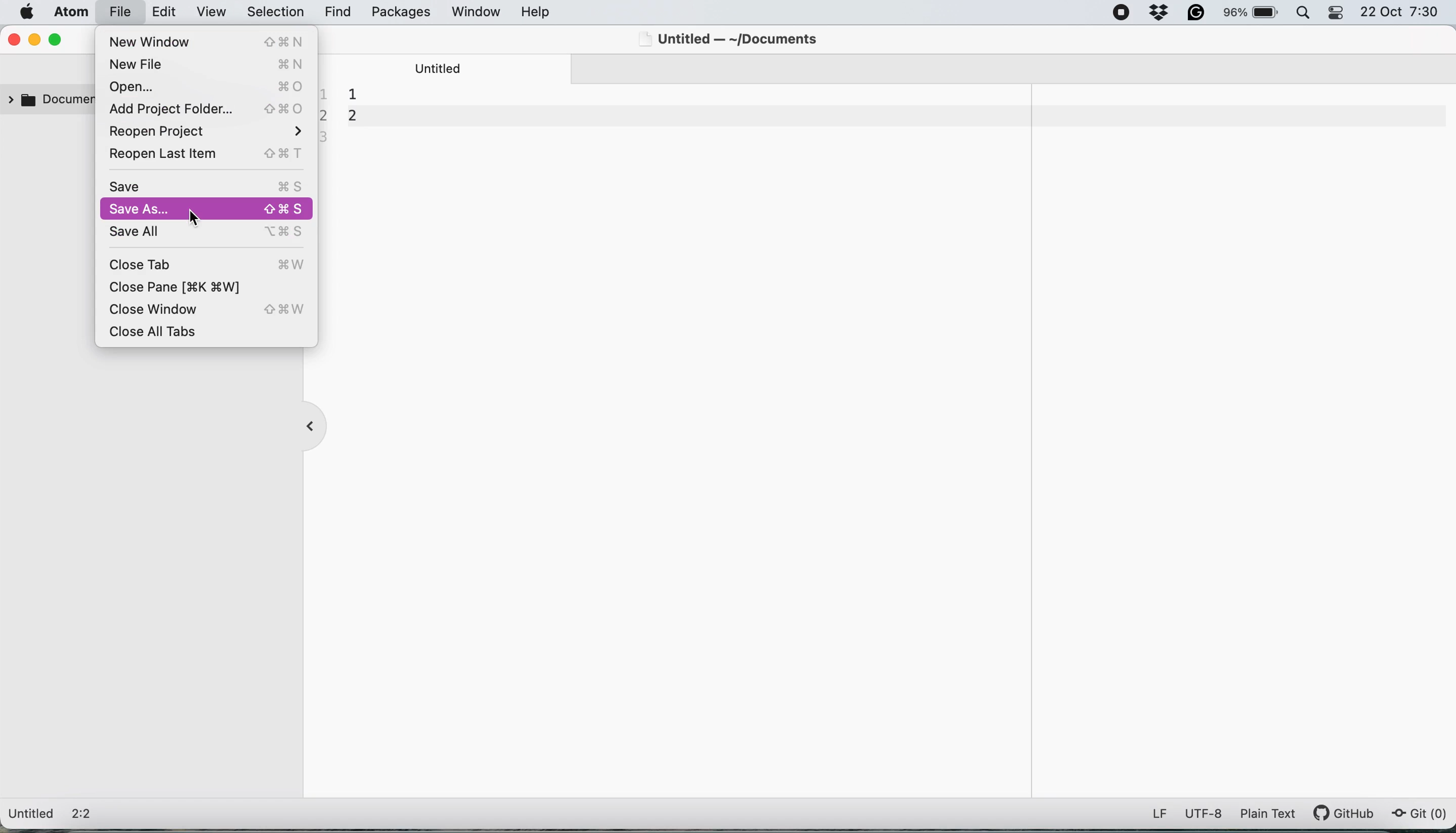 This screenshot has width=1456, height=833. I want to click on screen recorder, so click(1123, 14).